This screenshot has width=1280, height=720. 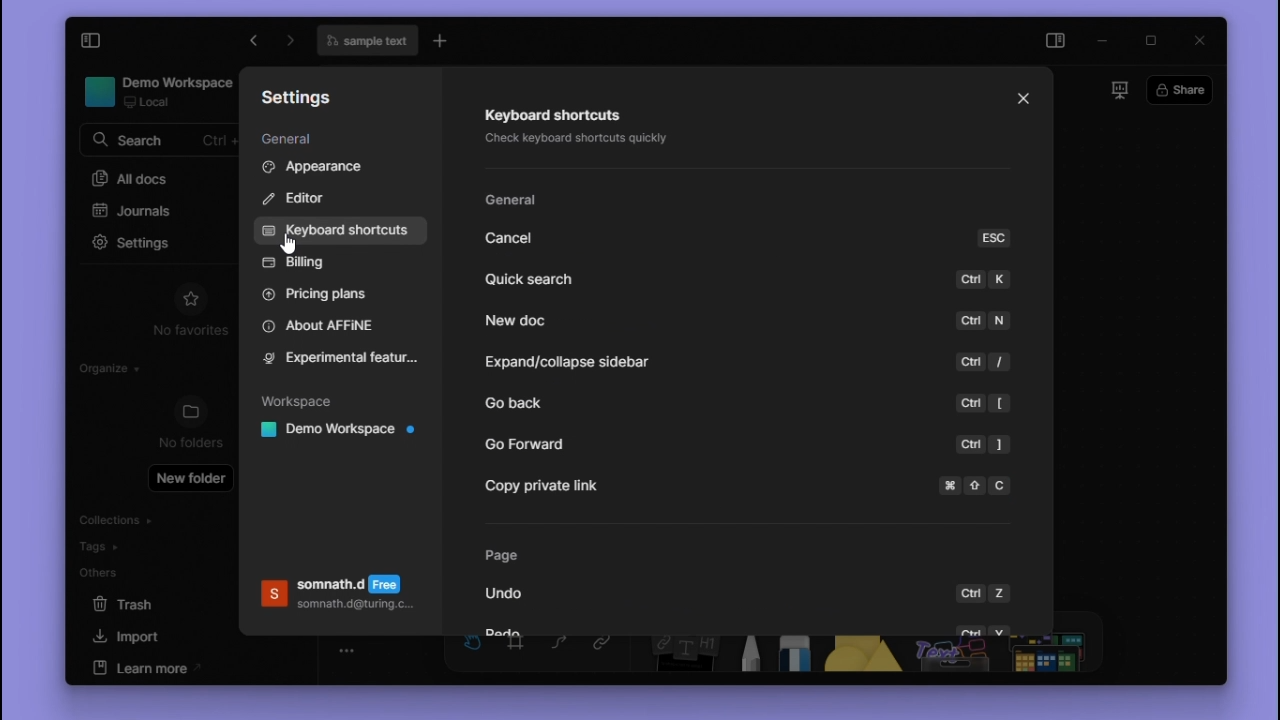 I want to click on Expand\collapse sidebar, so click(x=562, y=363).